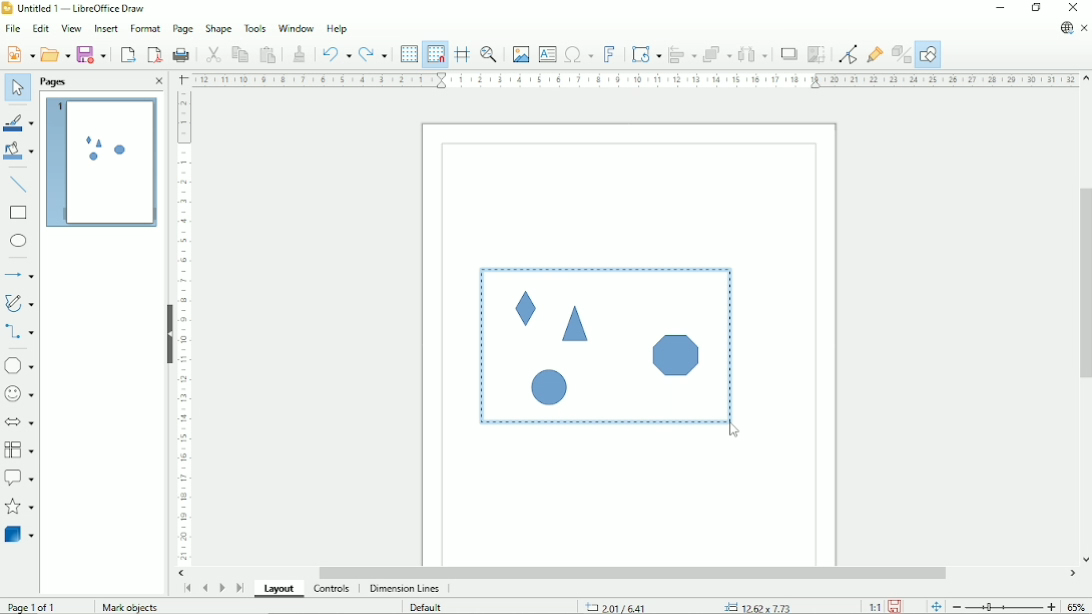 Image resolution: width=1092 pixels, height=614 pixels. I want to click on Insert text box, so click(547, 54).